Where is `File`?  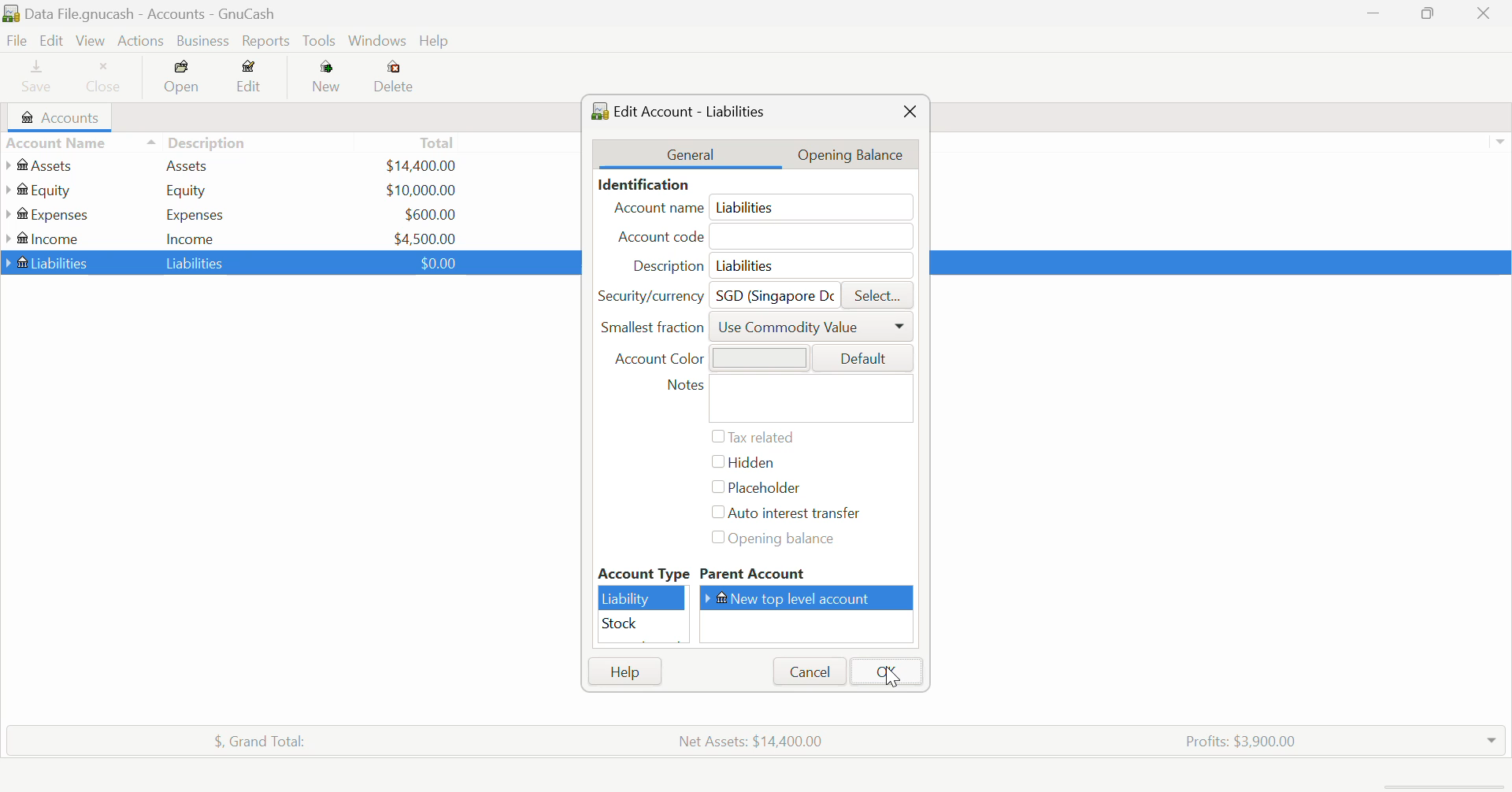
File is located at coordinates (15, 41).